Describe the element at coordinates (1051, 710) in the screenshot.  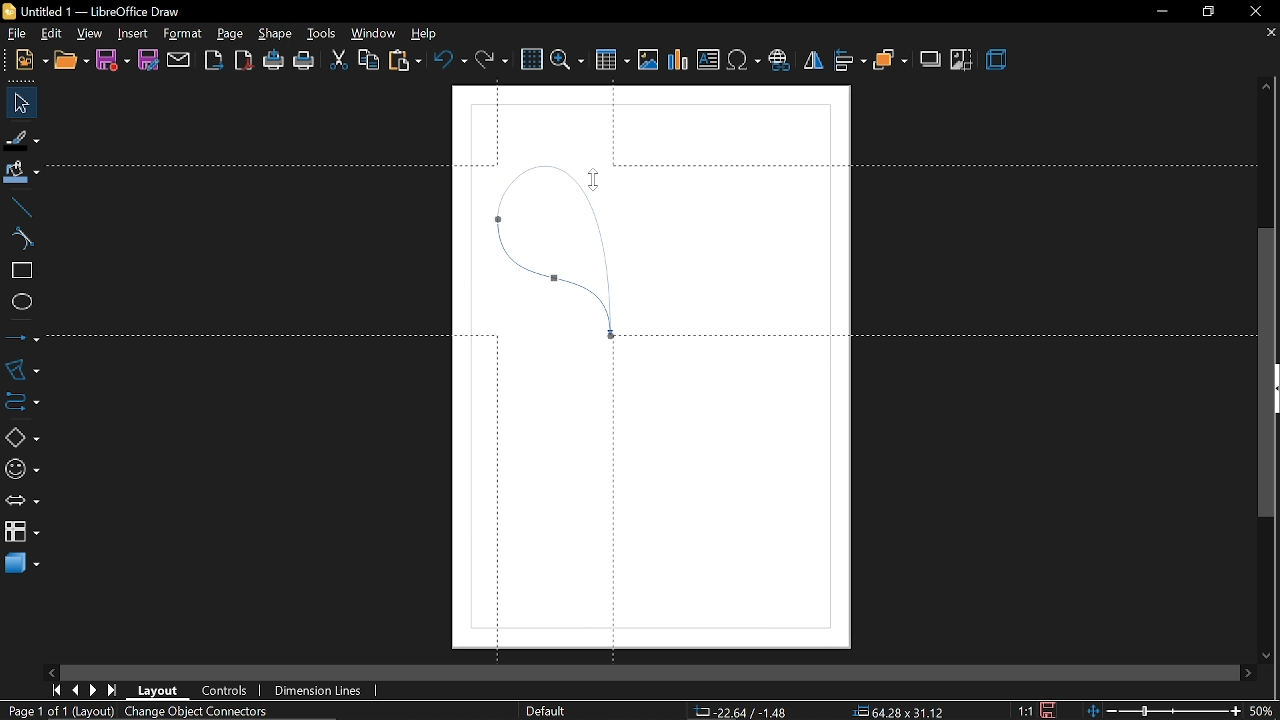
I see `save` at that location.